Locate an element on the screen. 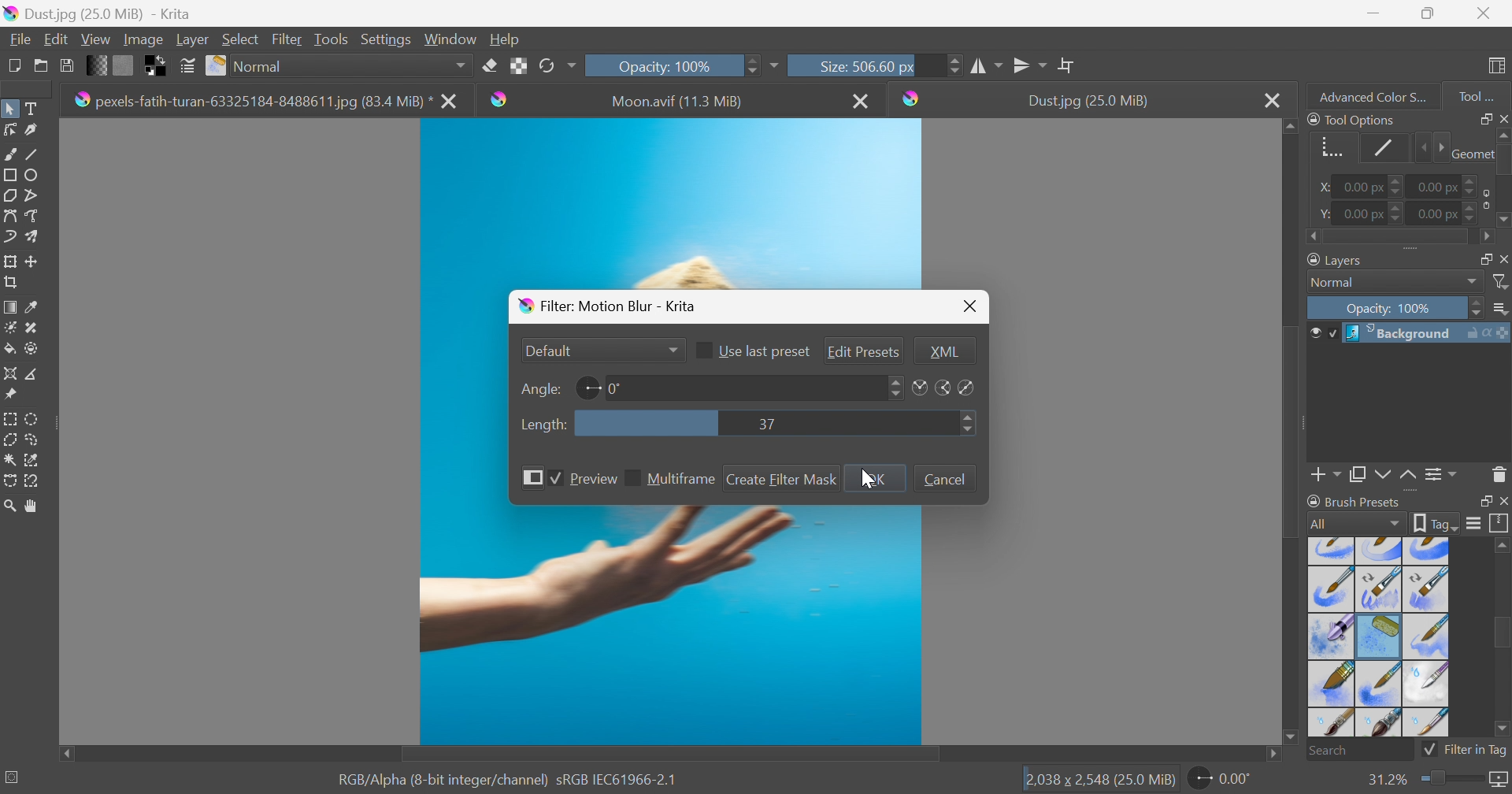  Slider is located at coordinates (895, 387).